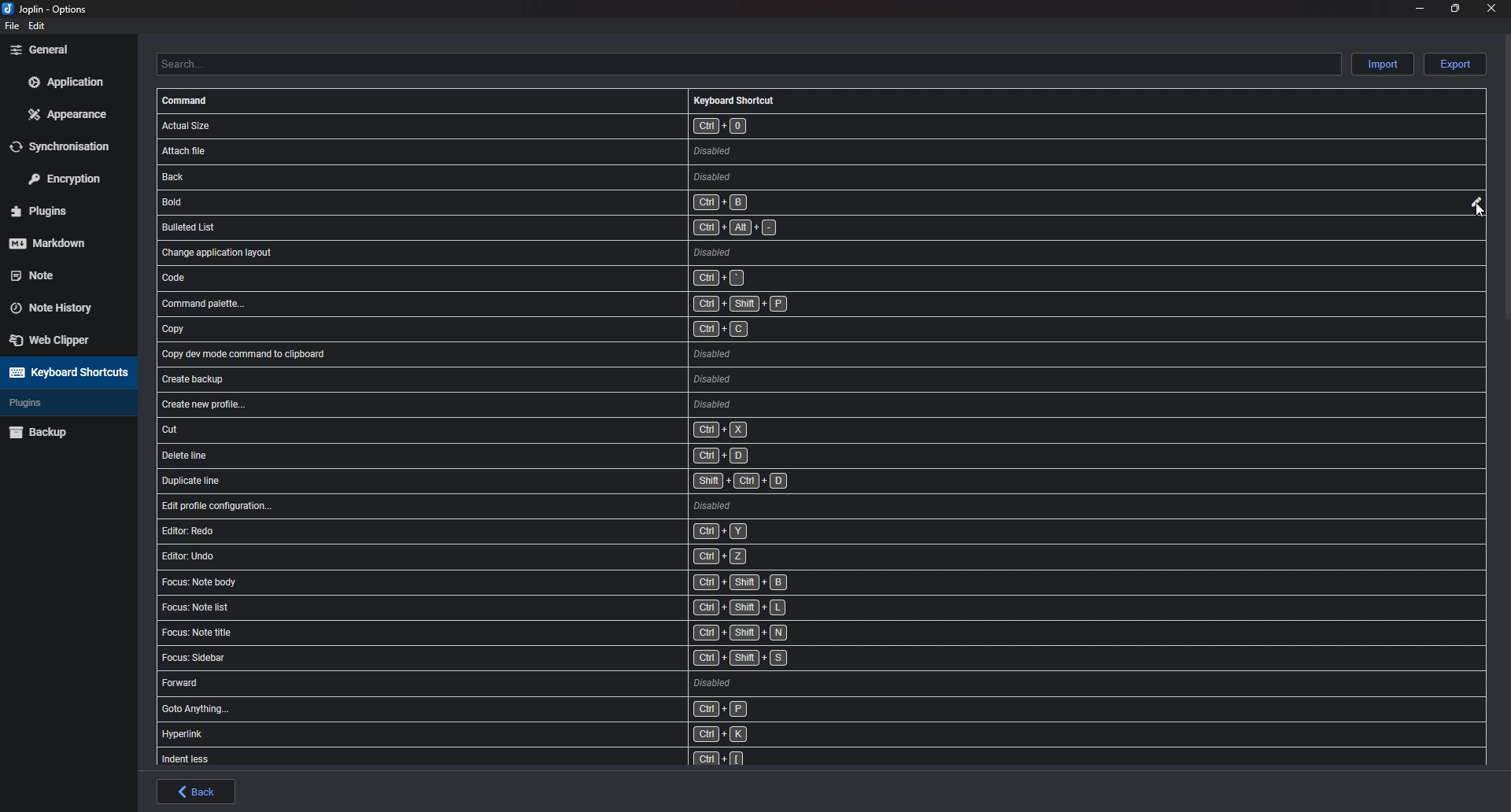  I want to click on Back up, so click(65, 431).